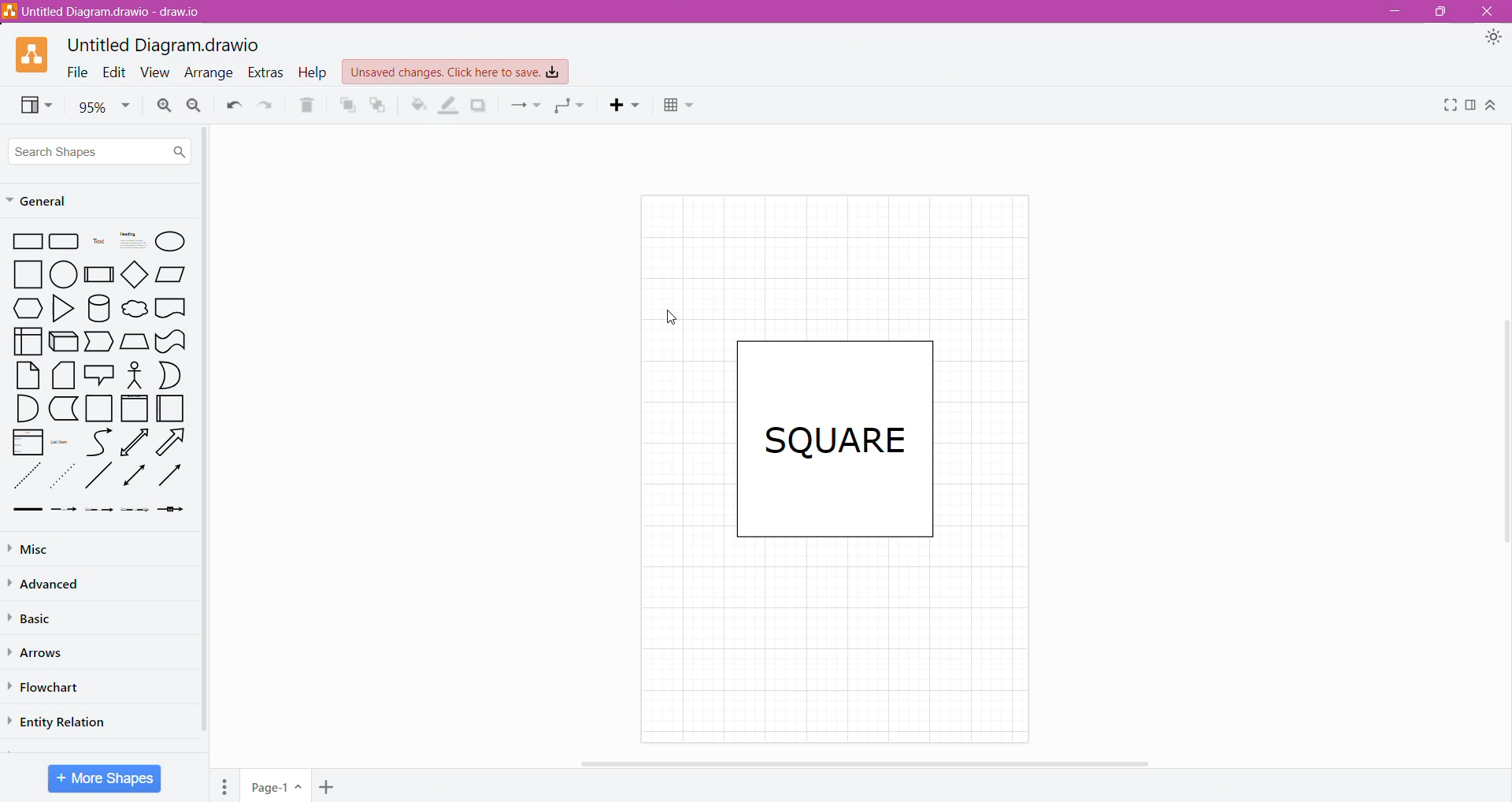 The image size is (1512, 802). Describe the element at coordinates (33, 55) in the screenshot. I see `Application Logo` at that location.